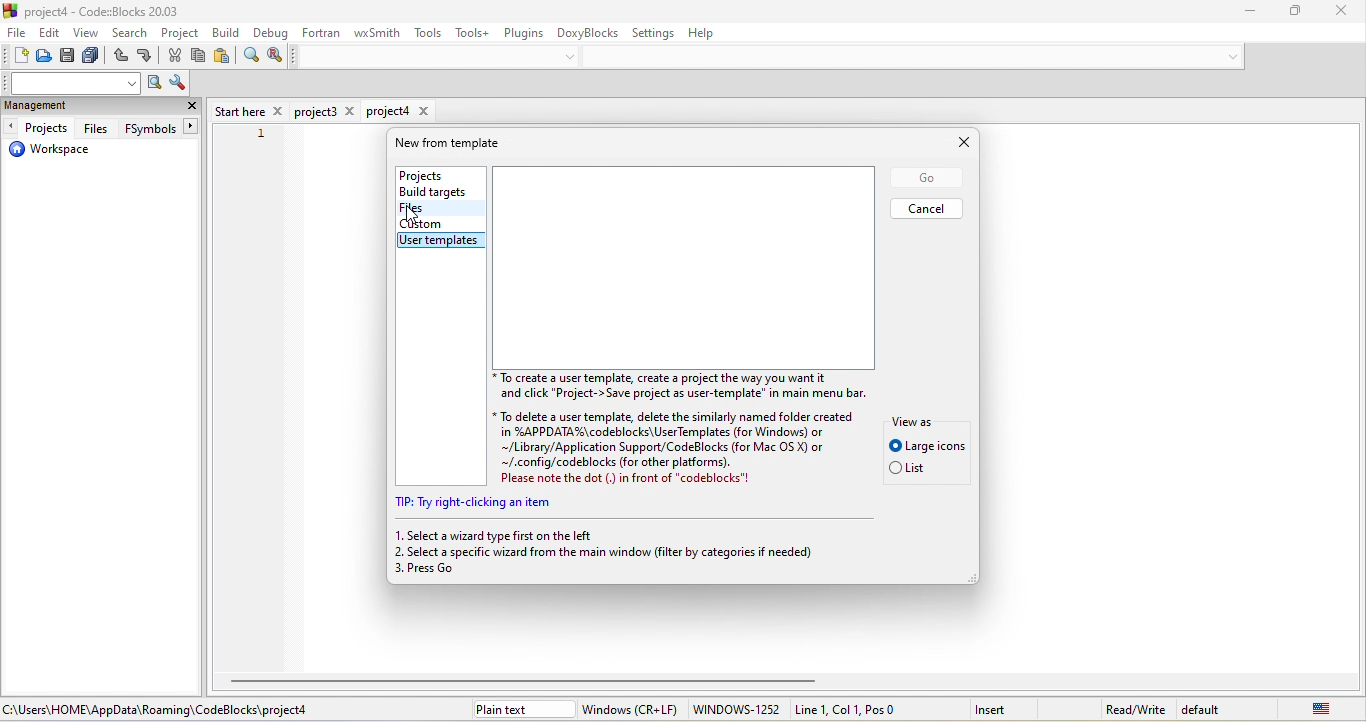 The image size is (1366, 722). Describe the element at coordinates (471, 32) in the screenshot. I see `tools+` at that location.